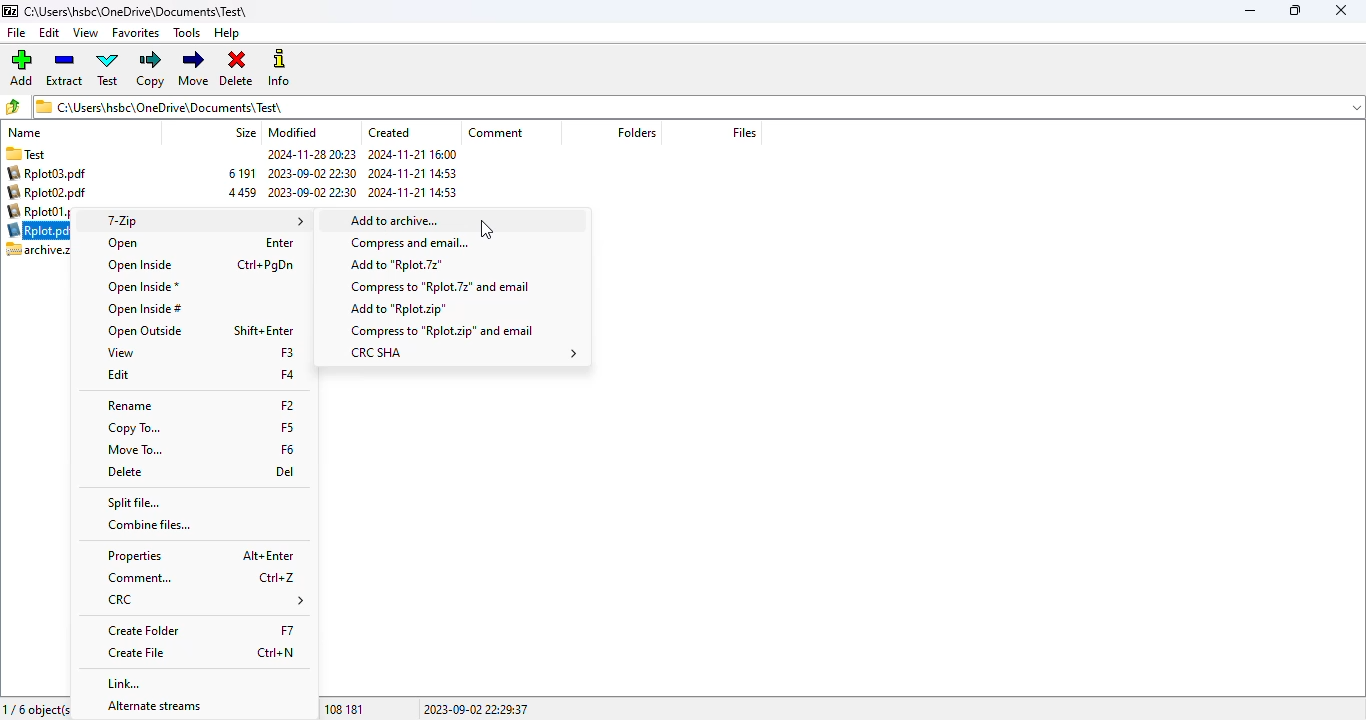 The width and height of the screenshot is (1366, 720). Describe the element at coordinates (15, 33) in the screenshot. I see `file` at that location.